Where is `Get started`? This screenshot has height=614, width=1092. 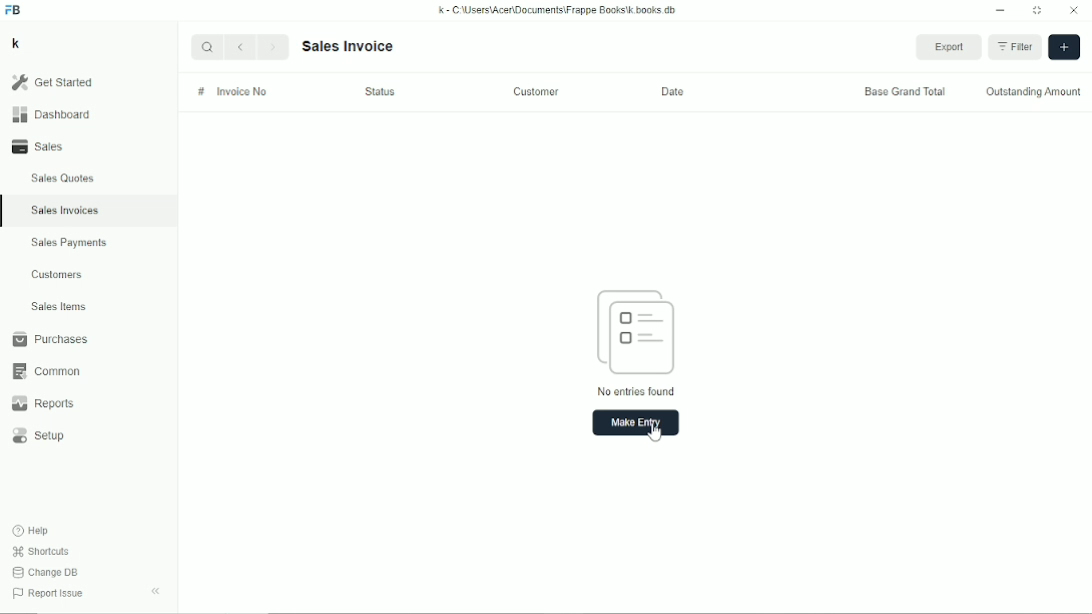
Get started is located at coordinates (51, 82).